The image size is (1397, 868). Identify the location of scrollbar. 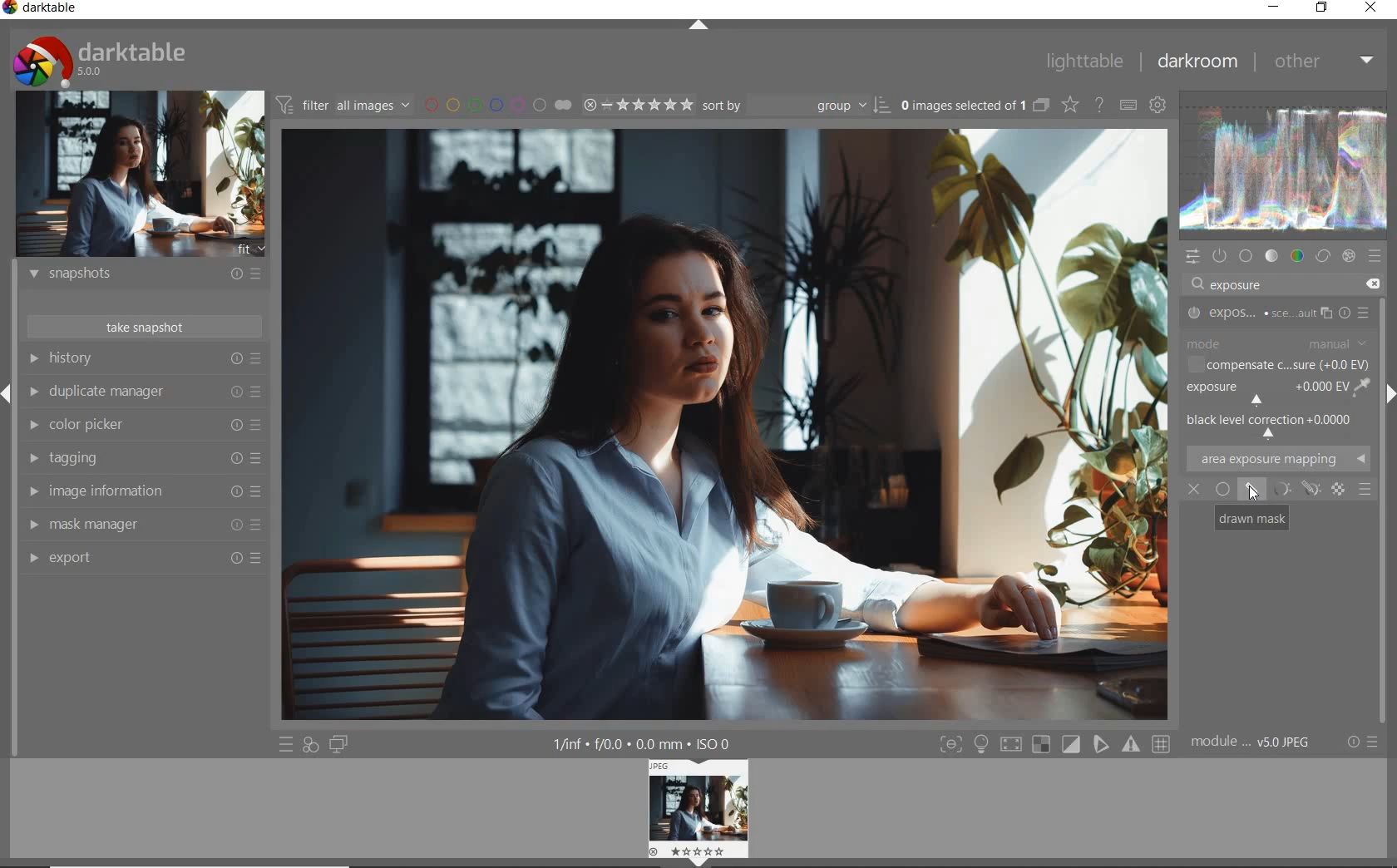
(1387, 512).